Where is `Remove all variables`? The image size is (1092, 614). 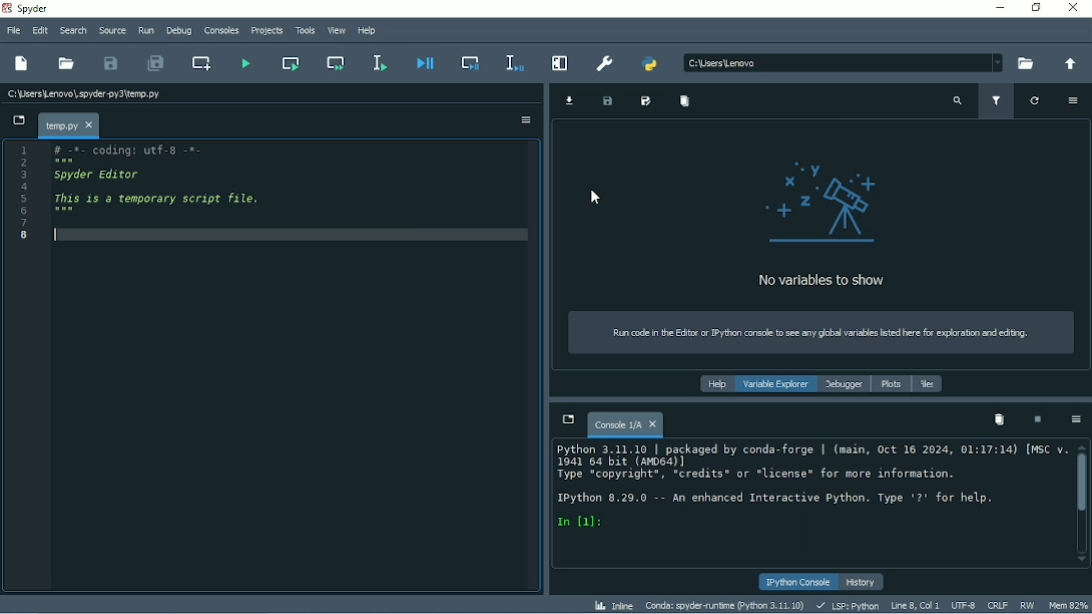
Remove all variables is located at coordinates (684, 101).